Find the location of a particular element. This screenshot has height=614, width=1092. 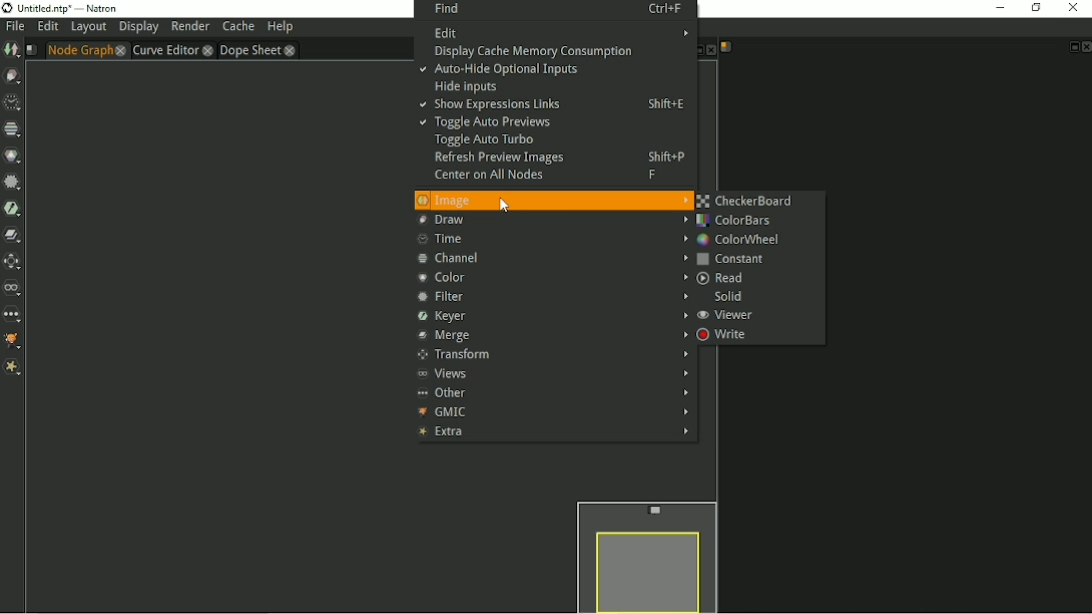

Float pane is located at coordinates (694, 51).